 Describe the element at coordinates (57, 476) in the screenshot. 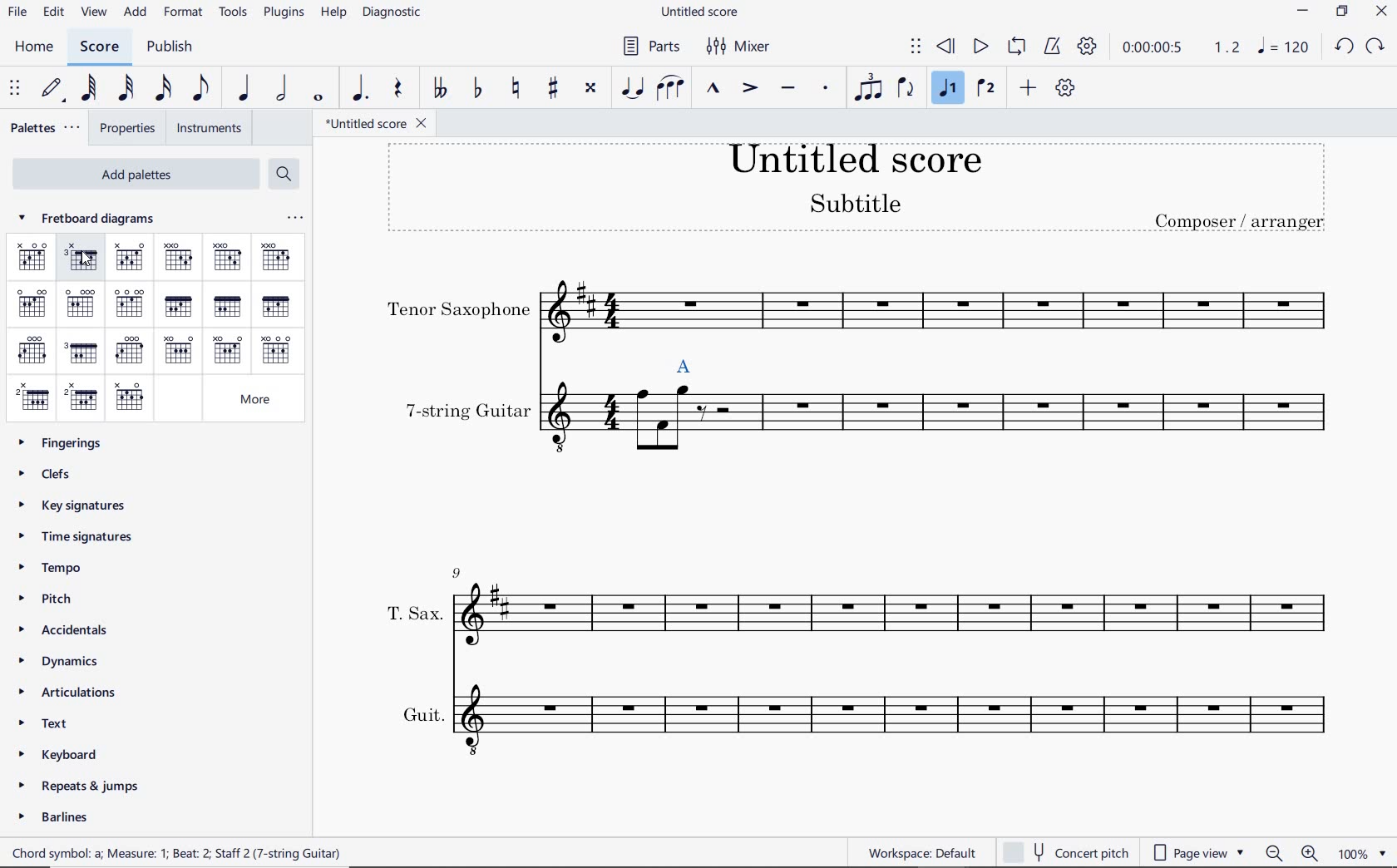

I see `CLEFS` at that location.